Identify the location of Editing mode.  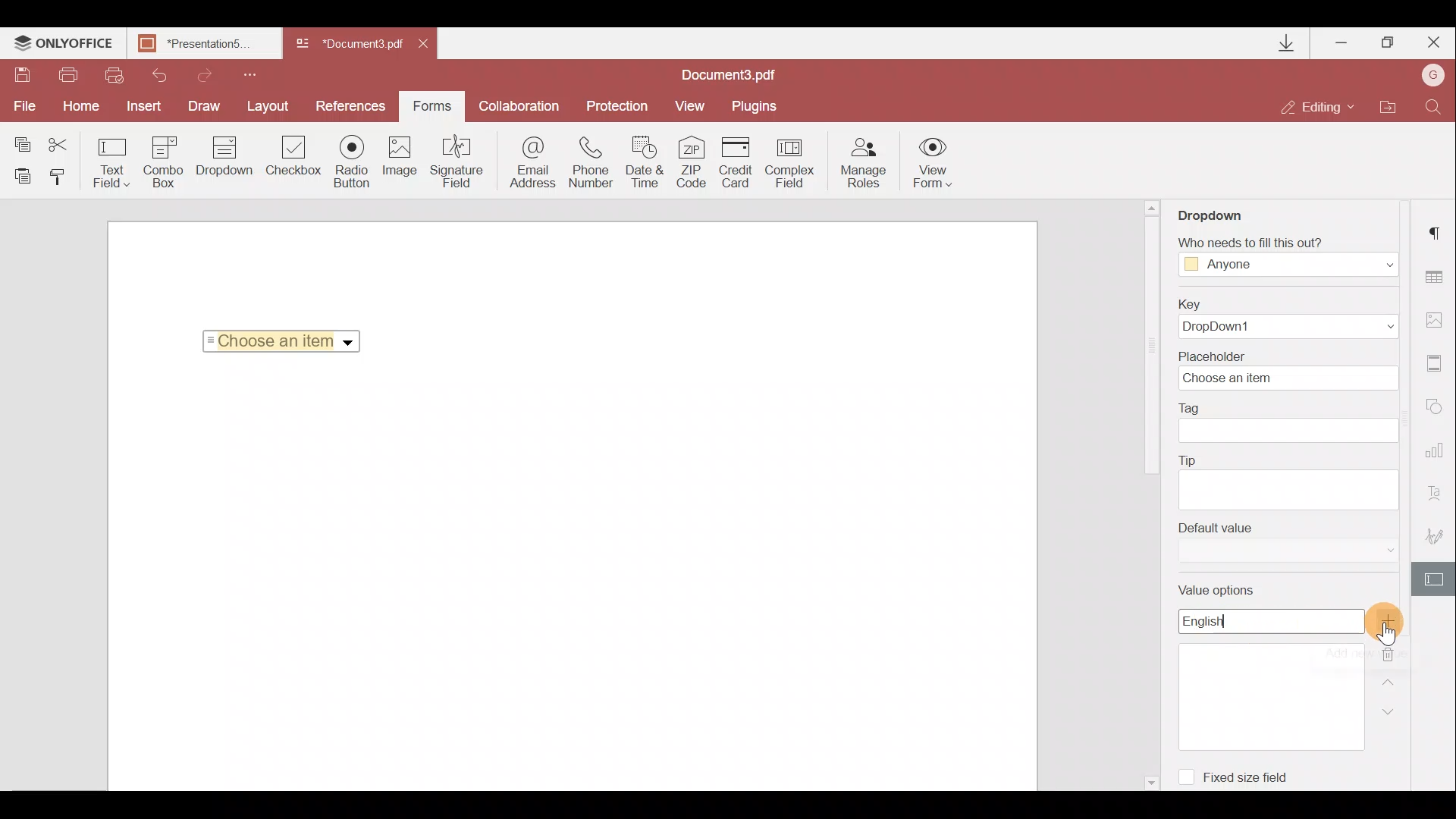
(1318, 106).